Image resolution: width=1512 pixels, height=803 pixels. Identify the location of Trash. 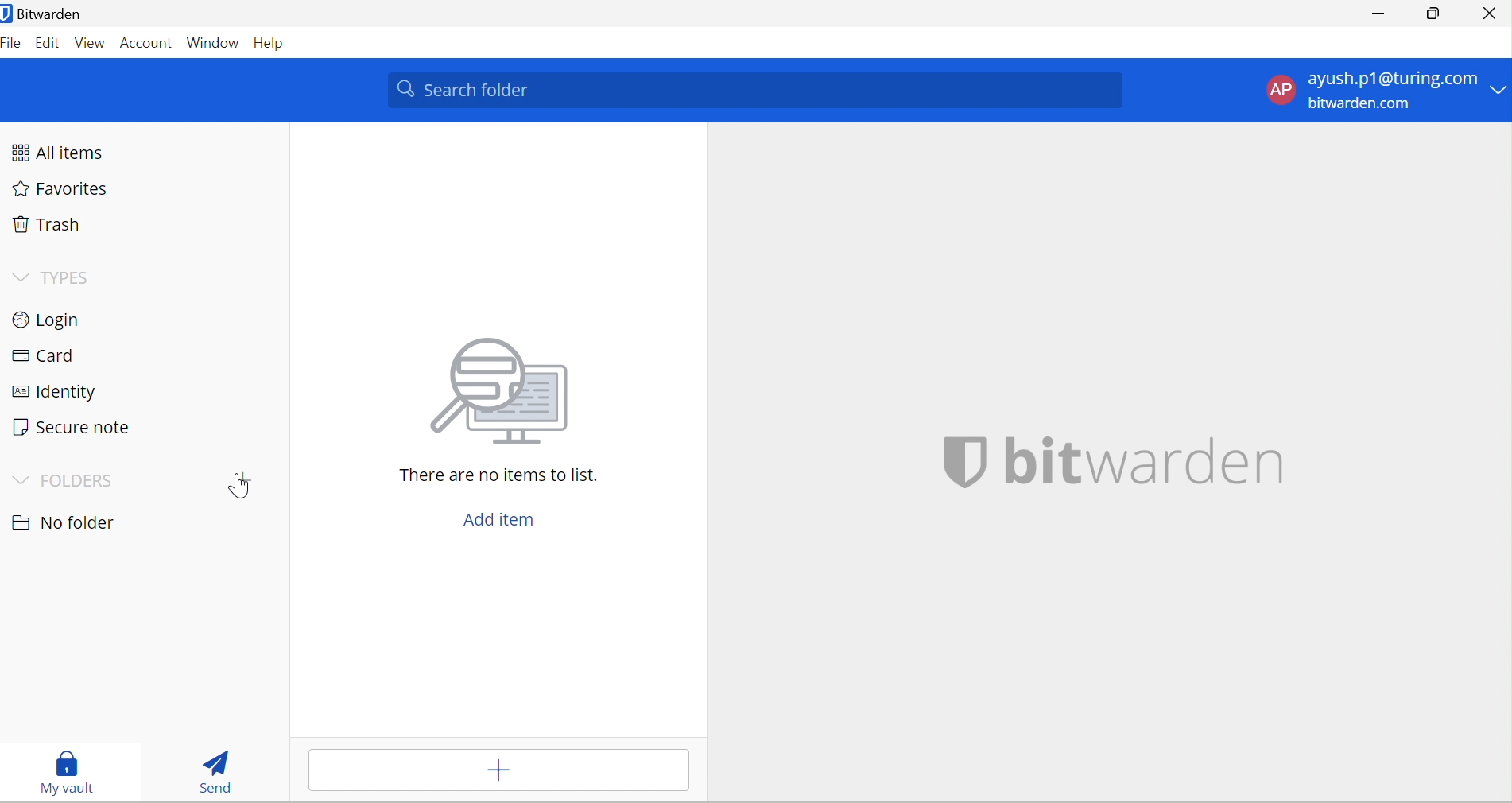
(53, 226).